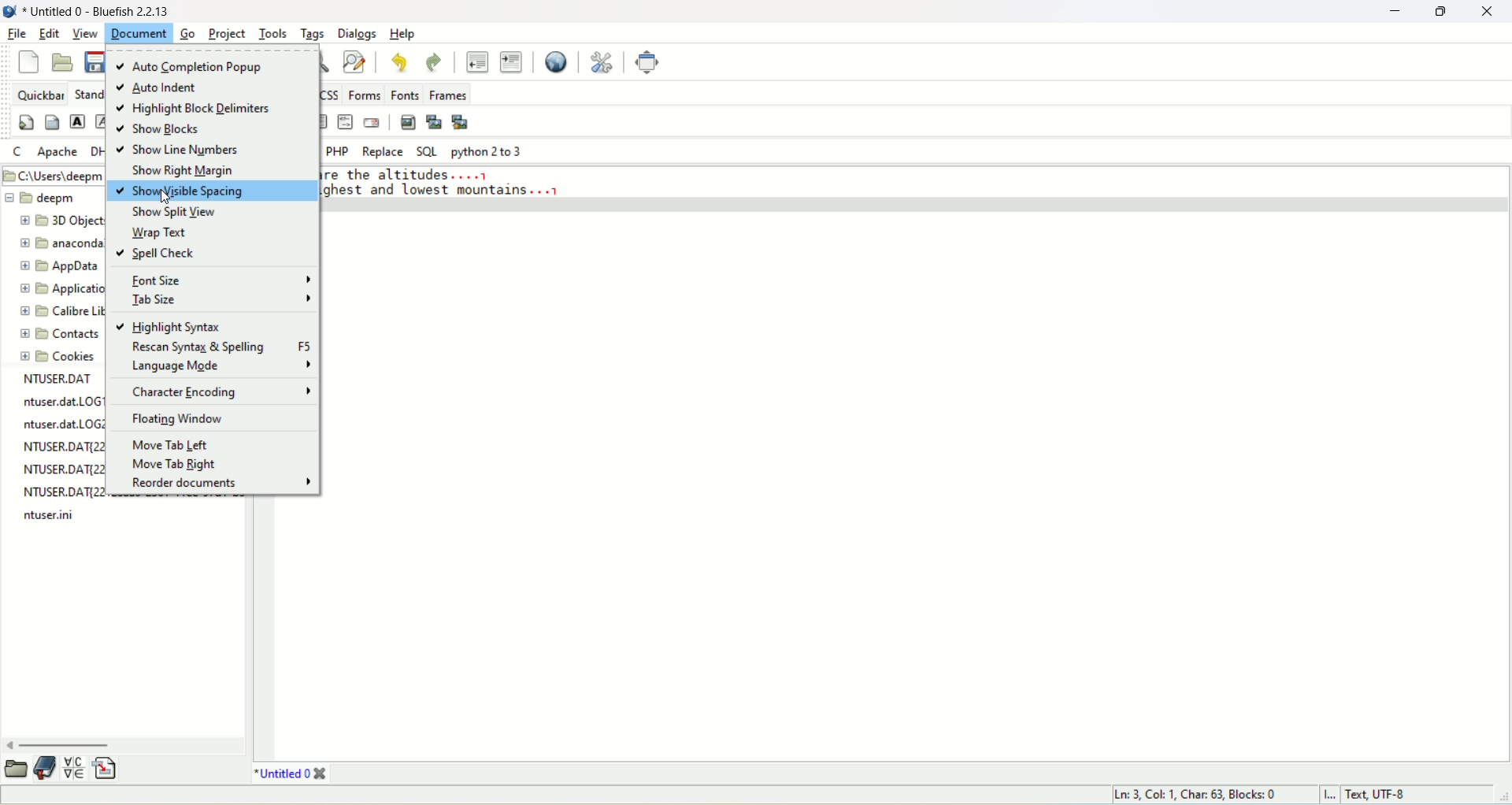 This screenshot has height=805, width=1512. What do you see at coordinates (113, 767) in the screenshot?
I see `insert file` at bounding box center [113, 767].